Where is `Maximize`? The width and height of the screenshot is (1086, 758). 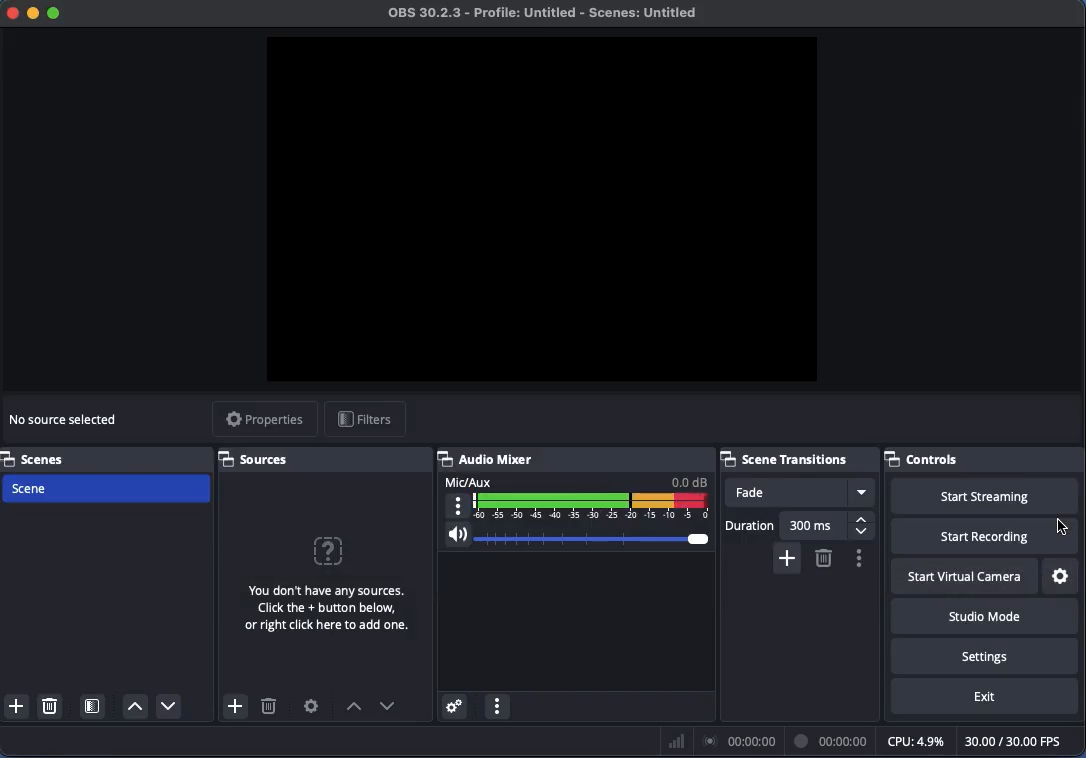 Maximize is located at coordinates (56, 15).